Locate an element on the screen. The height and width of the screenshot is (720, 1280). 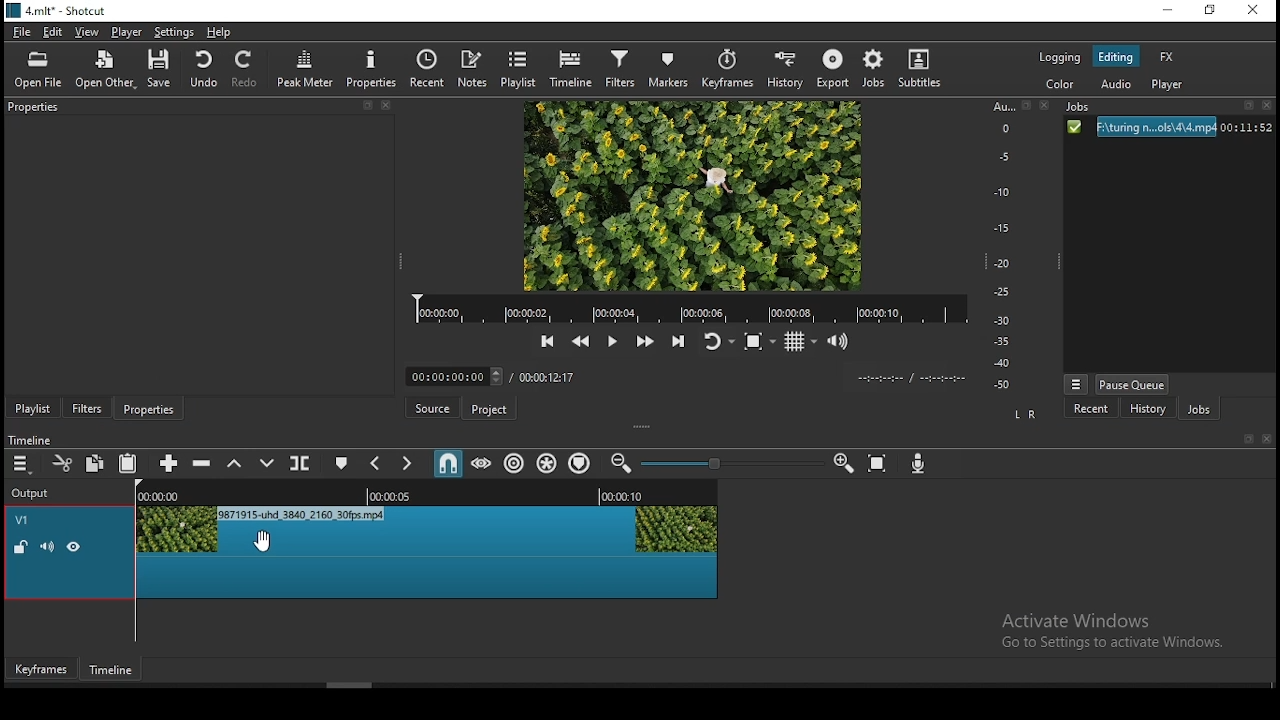
close window is located at coordinates (1253, 11).